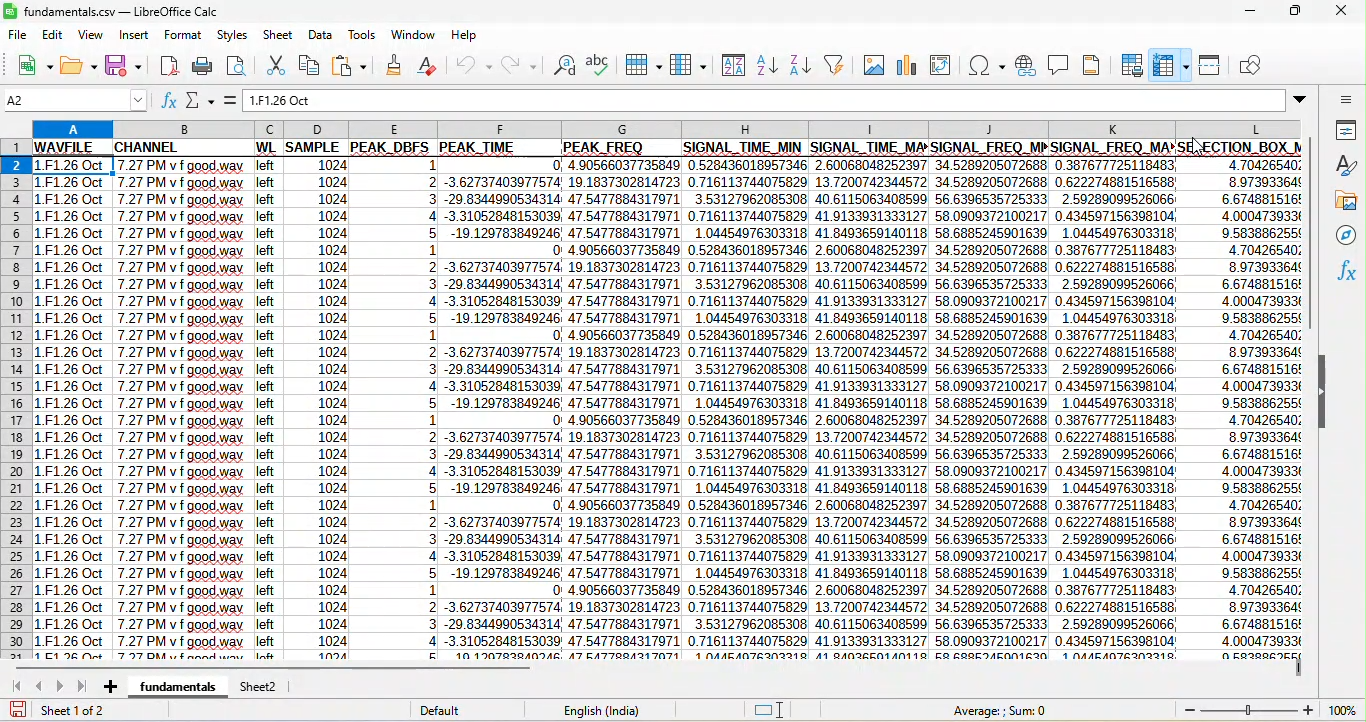 This screenshot has height=722, width=1366. I want to click on standard selection, so click(768, 709).